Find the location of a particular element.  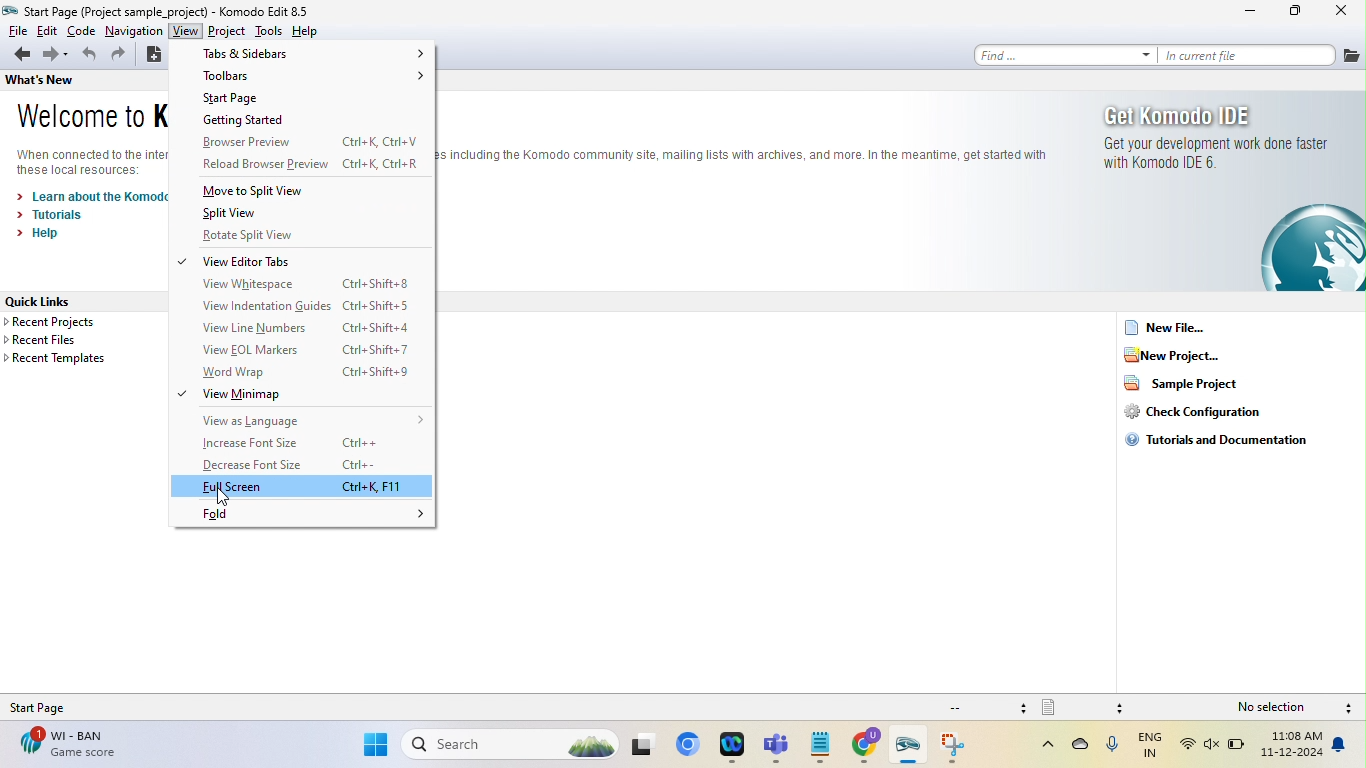

view whitespace is located at coordinates (304, 284).